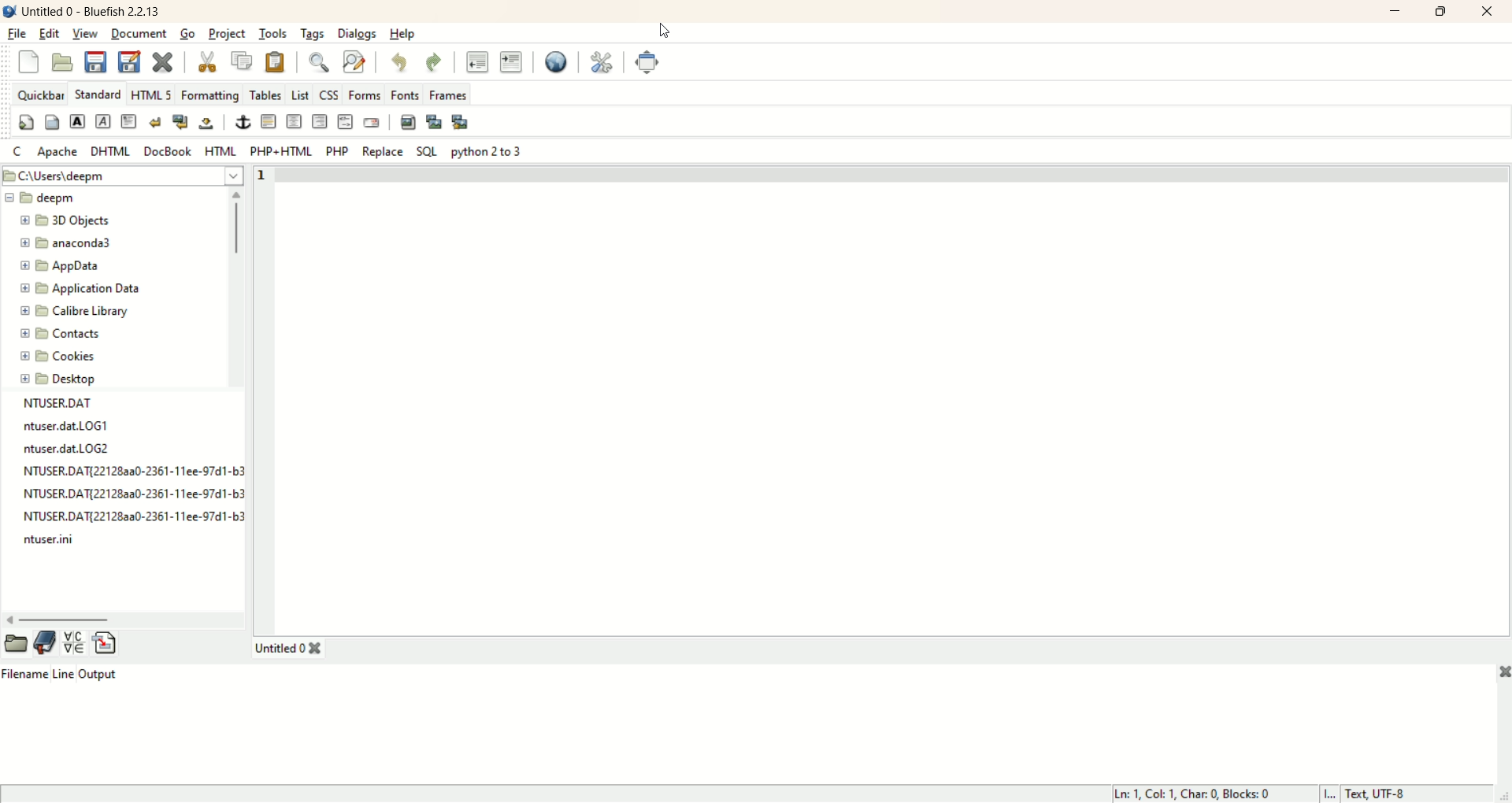 The image size is (1512, 803). Describe the element at coordinates (61, 153) in the screenshot. I see `apache` at that location.